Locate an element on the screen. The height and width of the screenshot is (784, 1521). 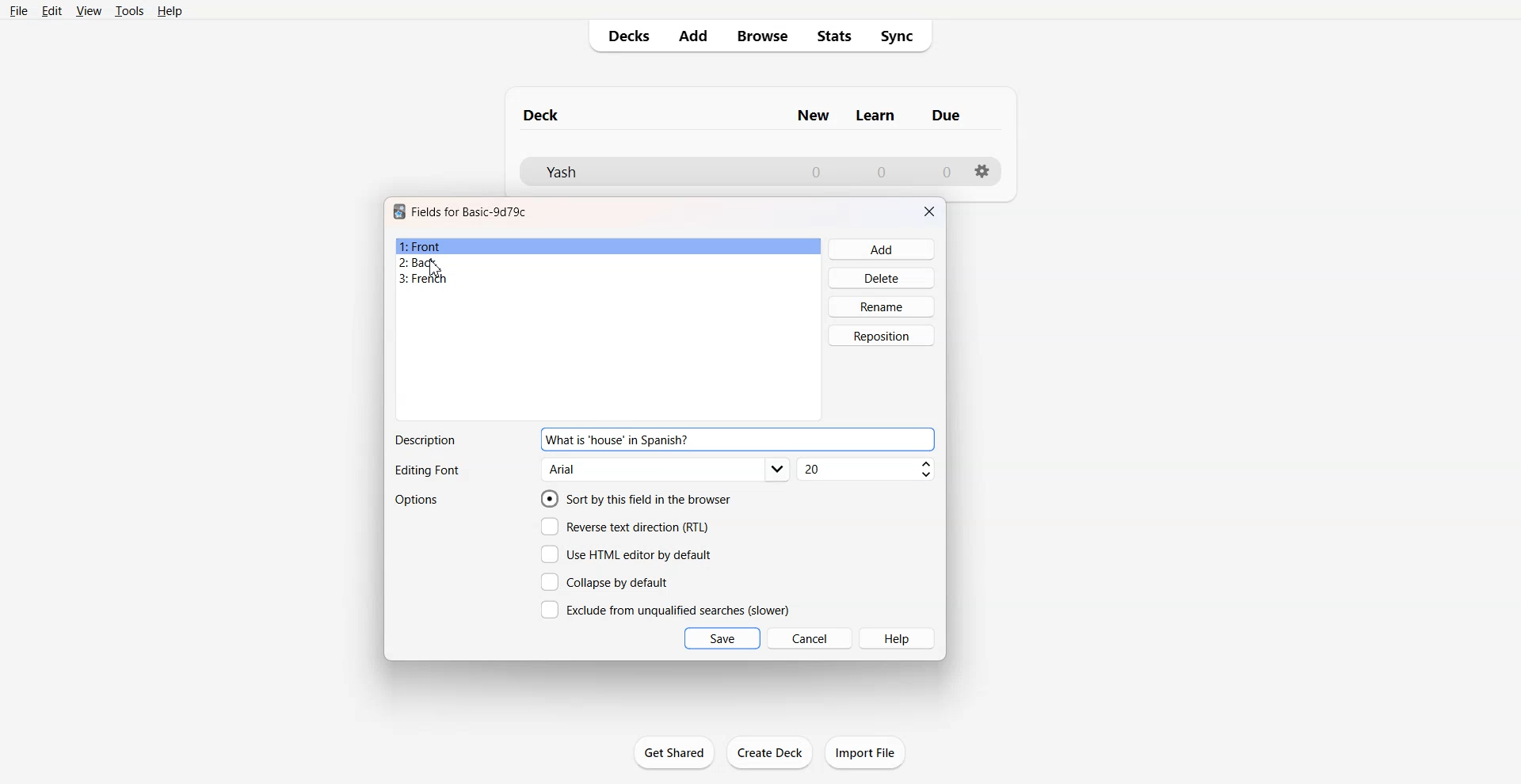
Cancel is located at coordinates (810, 637).